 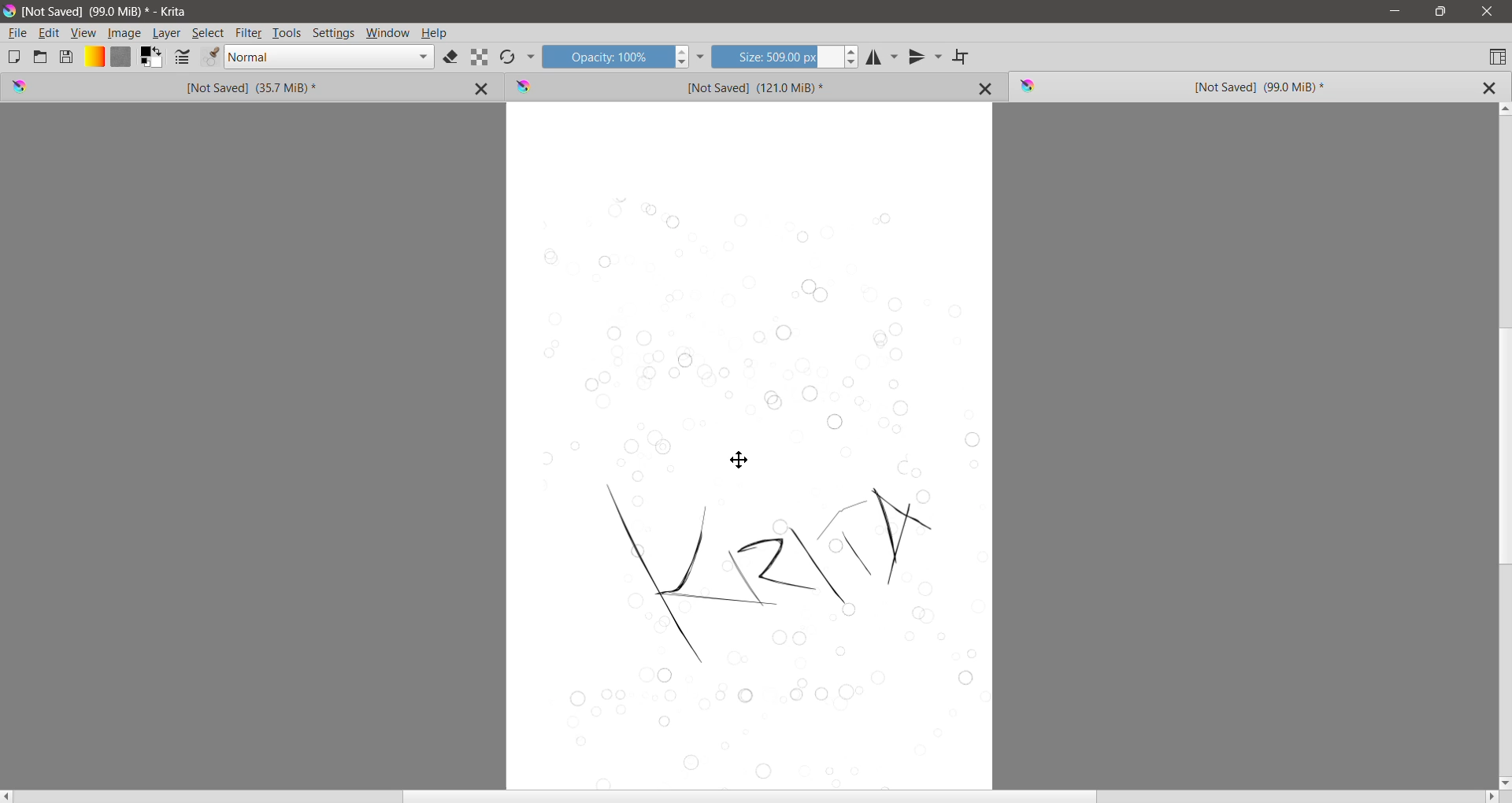 I want to click on Set eraser mode, so click(x=452, y=58).